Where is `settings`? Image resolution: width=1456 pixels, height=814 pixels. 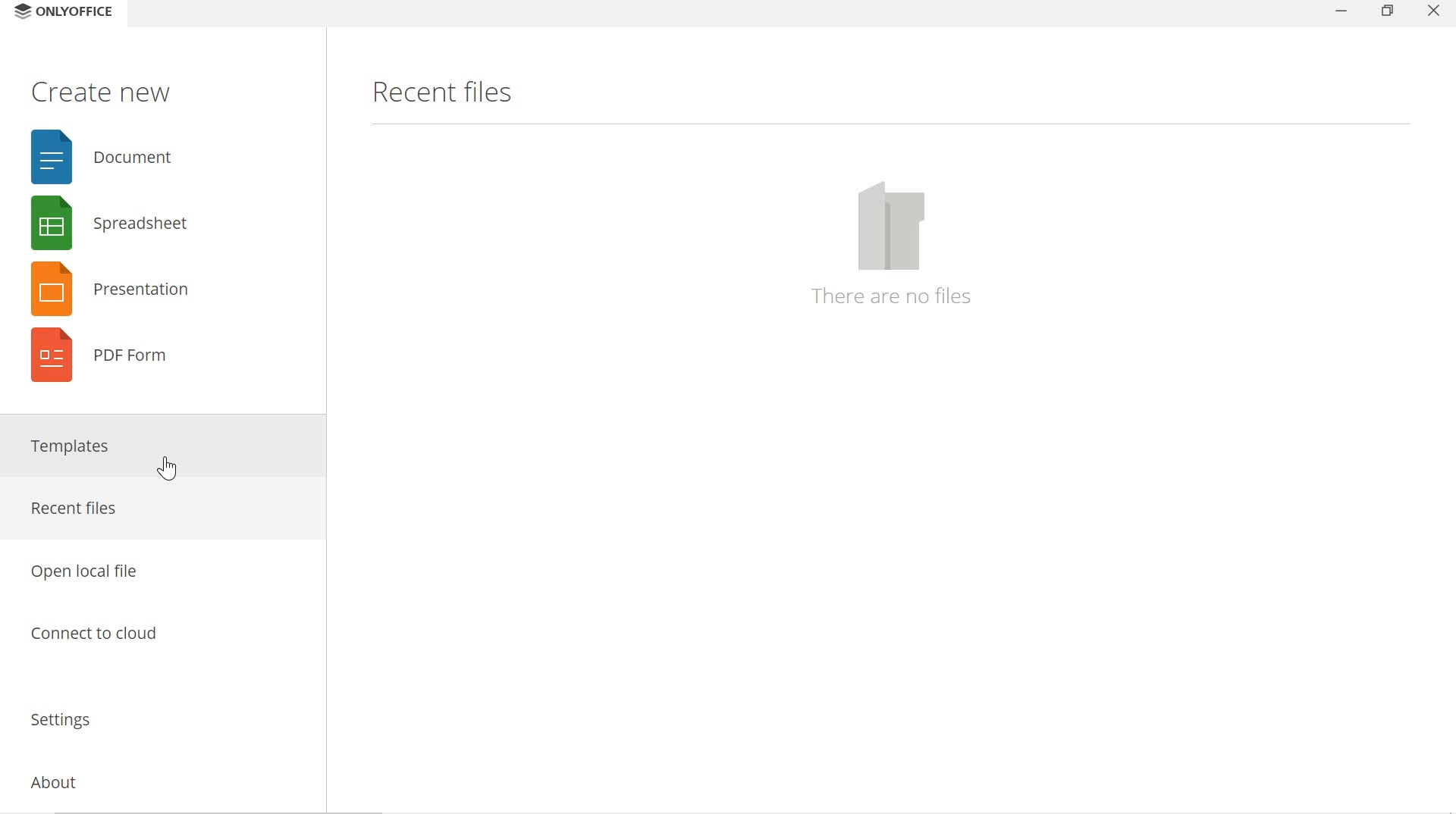 settings is located at coordinates (156, 714).